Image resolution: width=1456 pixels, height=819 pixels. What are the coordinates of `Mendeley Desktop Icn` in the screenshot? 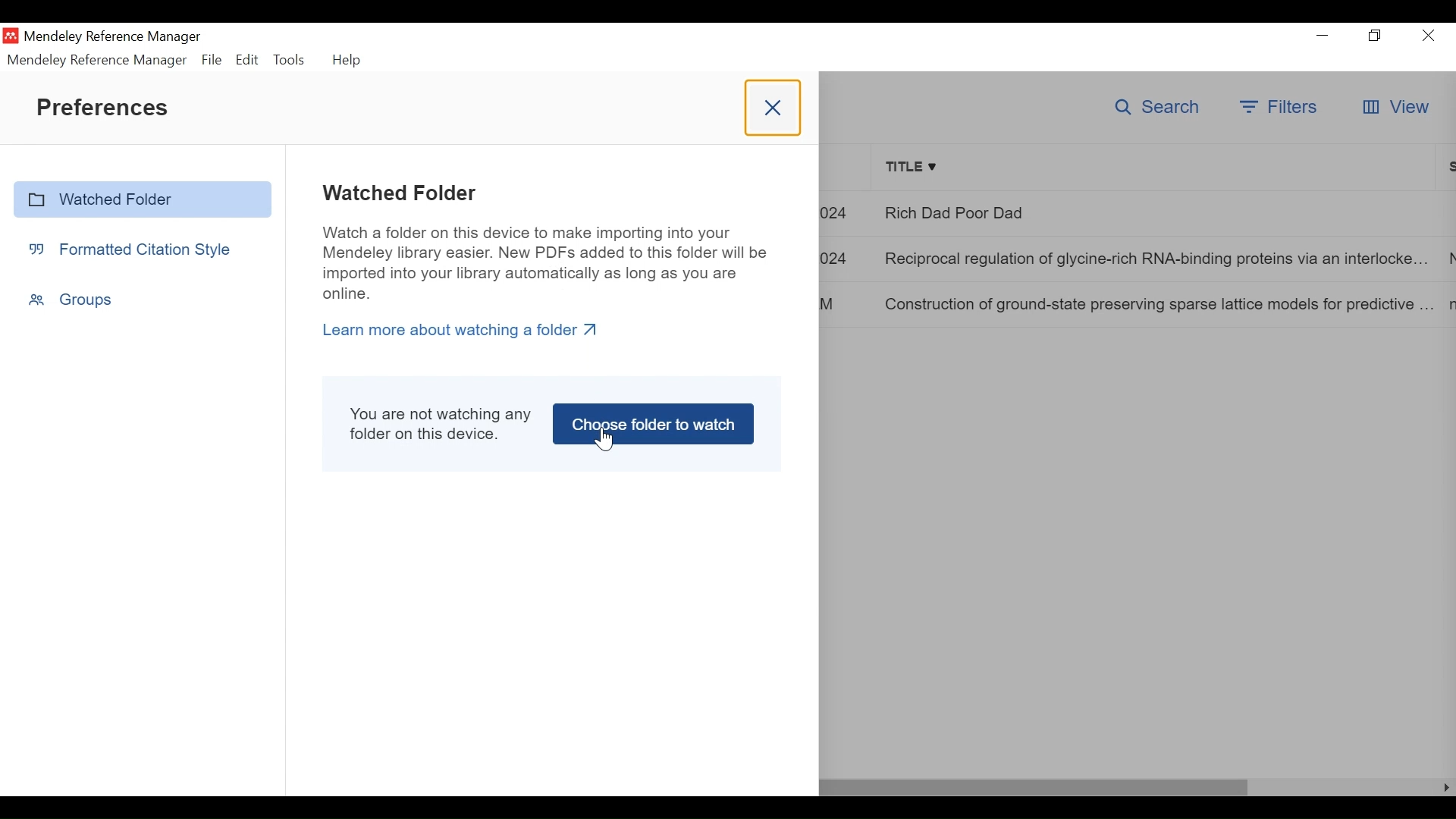 It's located at (10, 35).